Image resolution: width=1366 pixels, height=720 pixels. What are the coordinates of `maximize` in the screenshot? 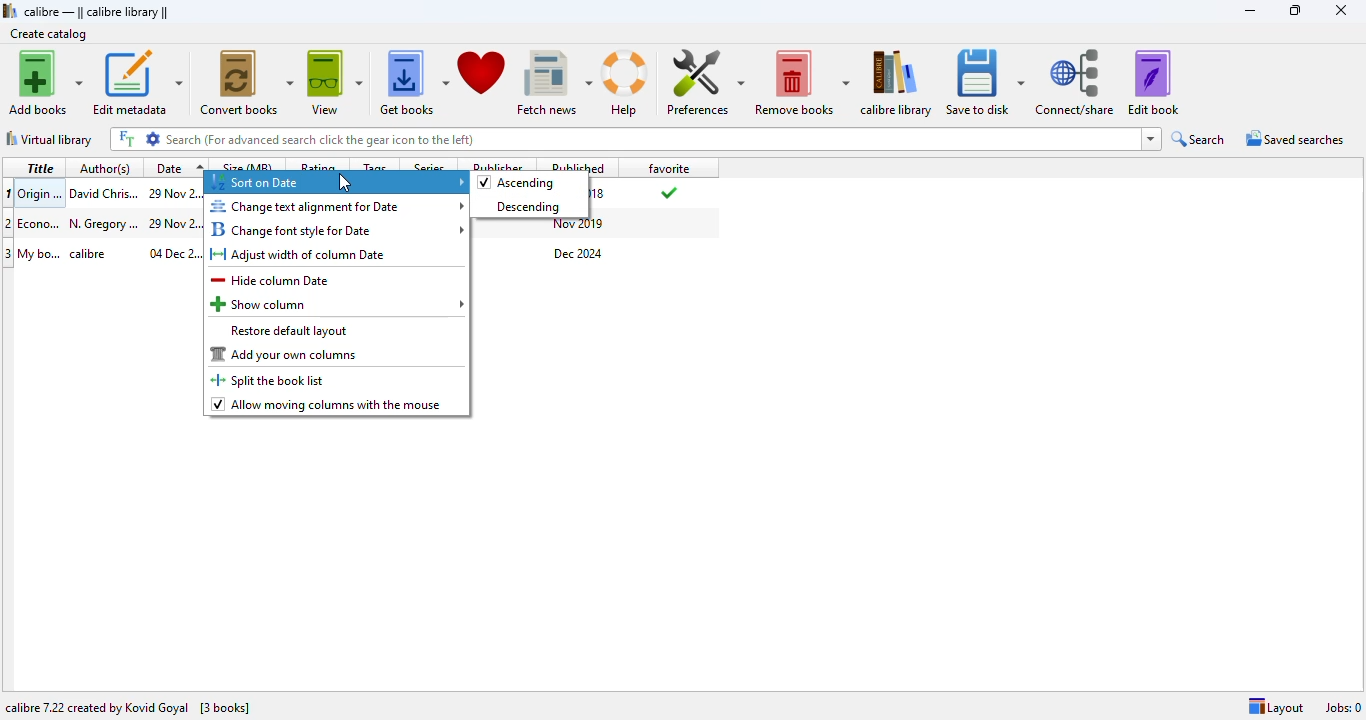 It's located at (1294, 10).